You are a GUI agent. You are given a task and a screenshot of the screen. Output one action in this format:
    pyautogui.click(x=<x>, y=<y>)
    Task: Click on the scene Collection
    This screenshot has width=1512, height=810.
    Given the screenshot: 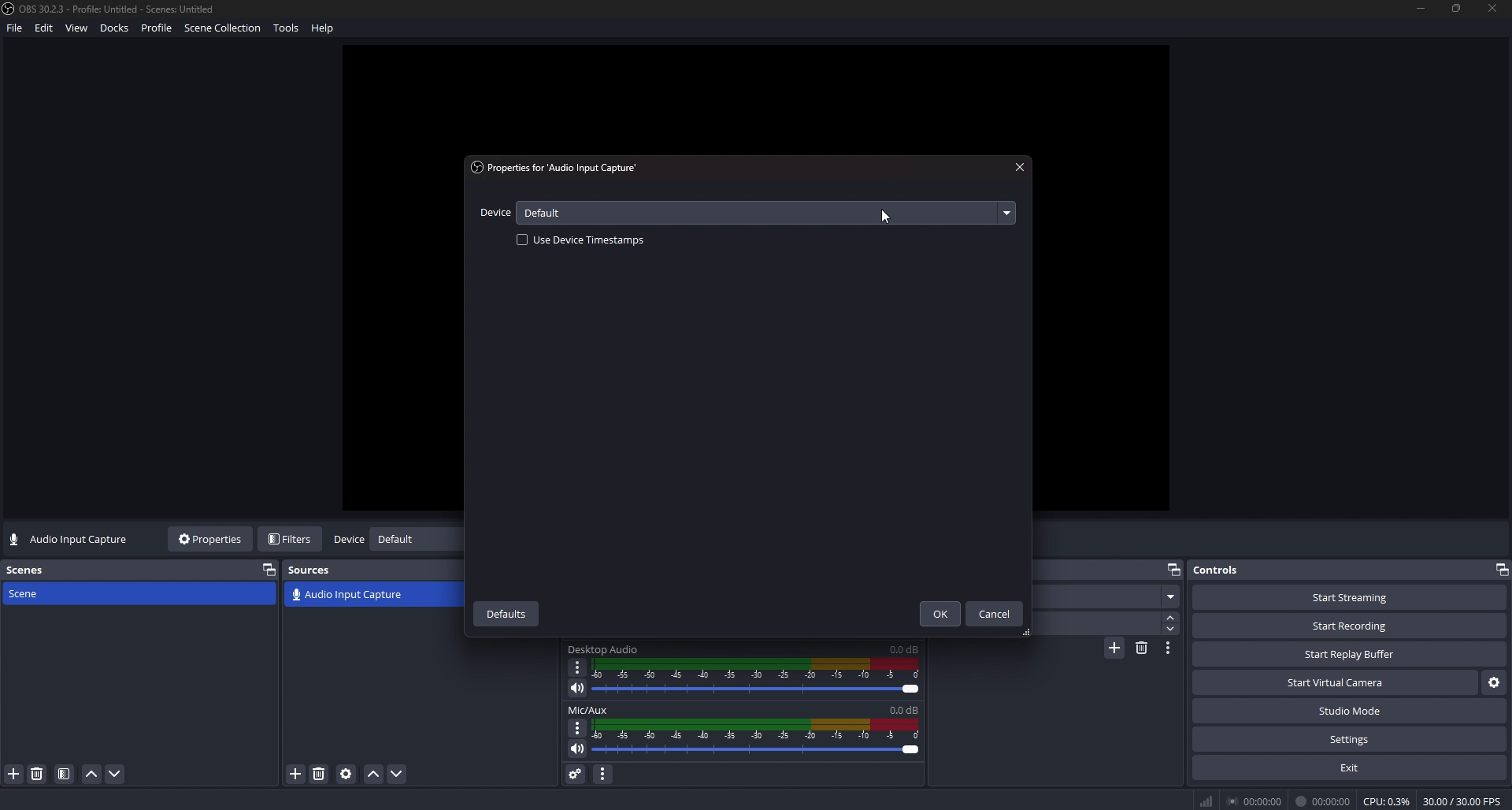 What is the action you would take?
    pyautogui.click(x=224, y=30)
    